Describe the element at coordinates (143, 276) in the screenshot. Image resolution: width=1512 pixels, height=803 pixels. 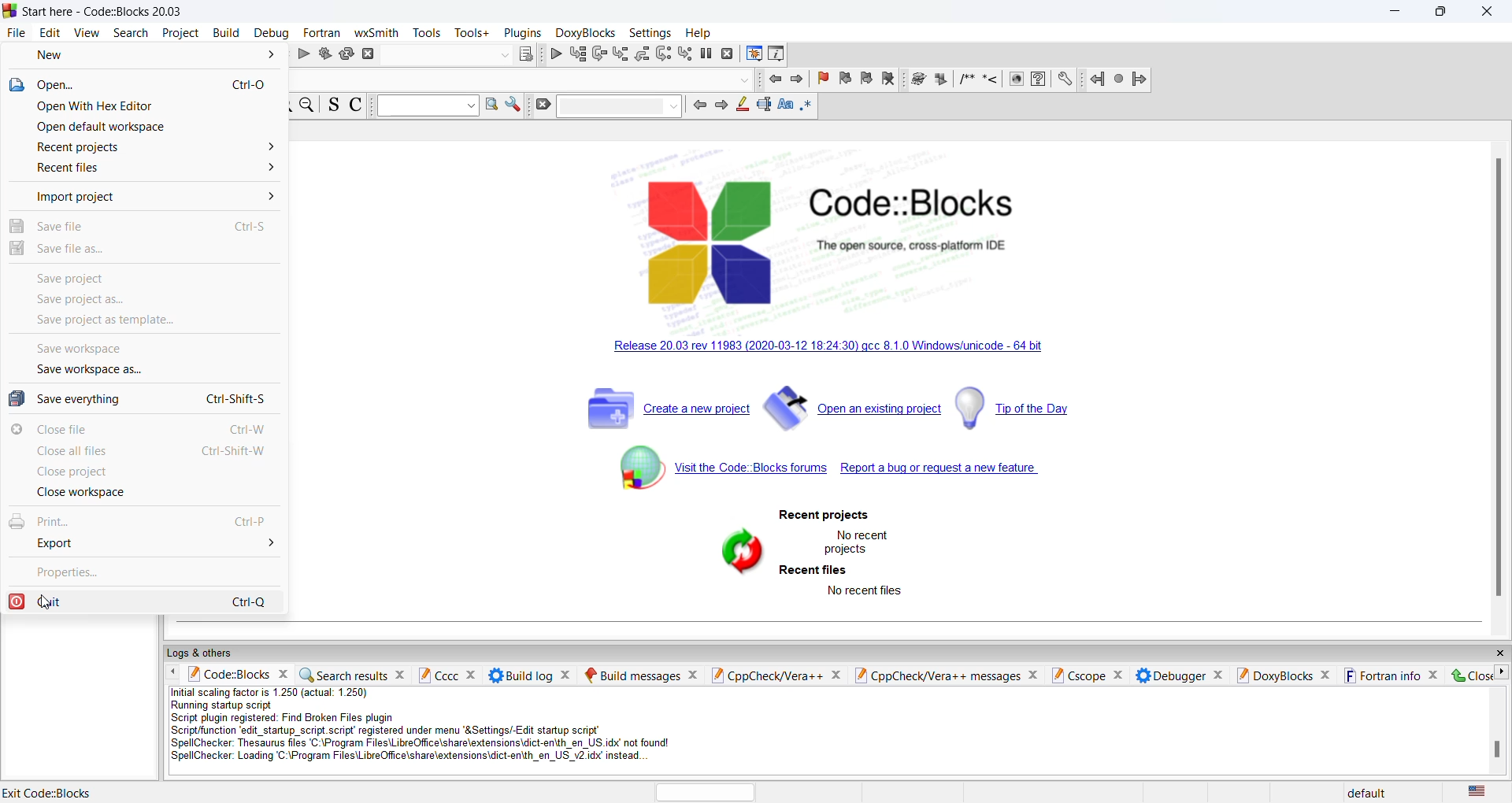
I see `save project` at that location.